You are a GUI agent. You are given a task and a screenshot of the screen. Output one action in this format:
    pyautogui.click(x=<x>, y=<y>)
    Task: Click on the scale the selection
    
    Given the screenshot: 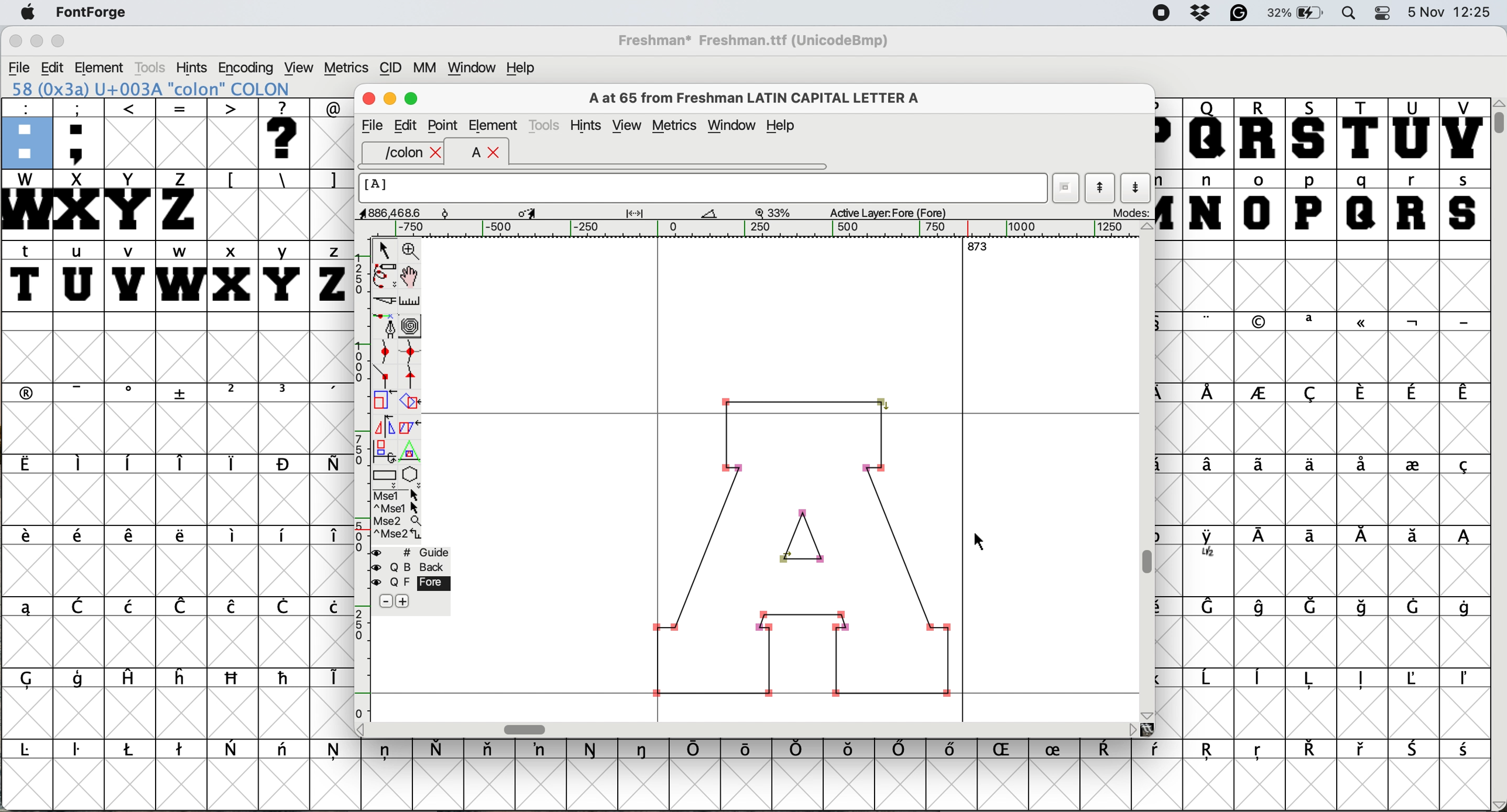 What is the action you would take?
    pyautogui.click(x=384, y=400)
    